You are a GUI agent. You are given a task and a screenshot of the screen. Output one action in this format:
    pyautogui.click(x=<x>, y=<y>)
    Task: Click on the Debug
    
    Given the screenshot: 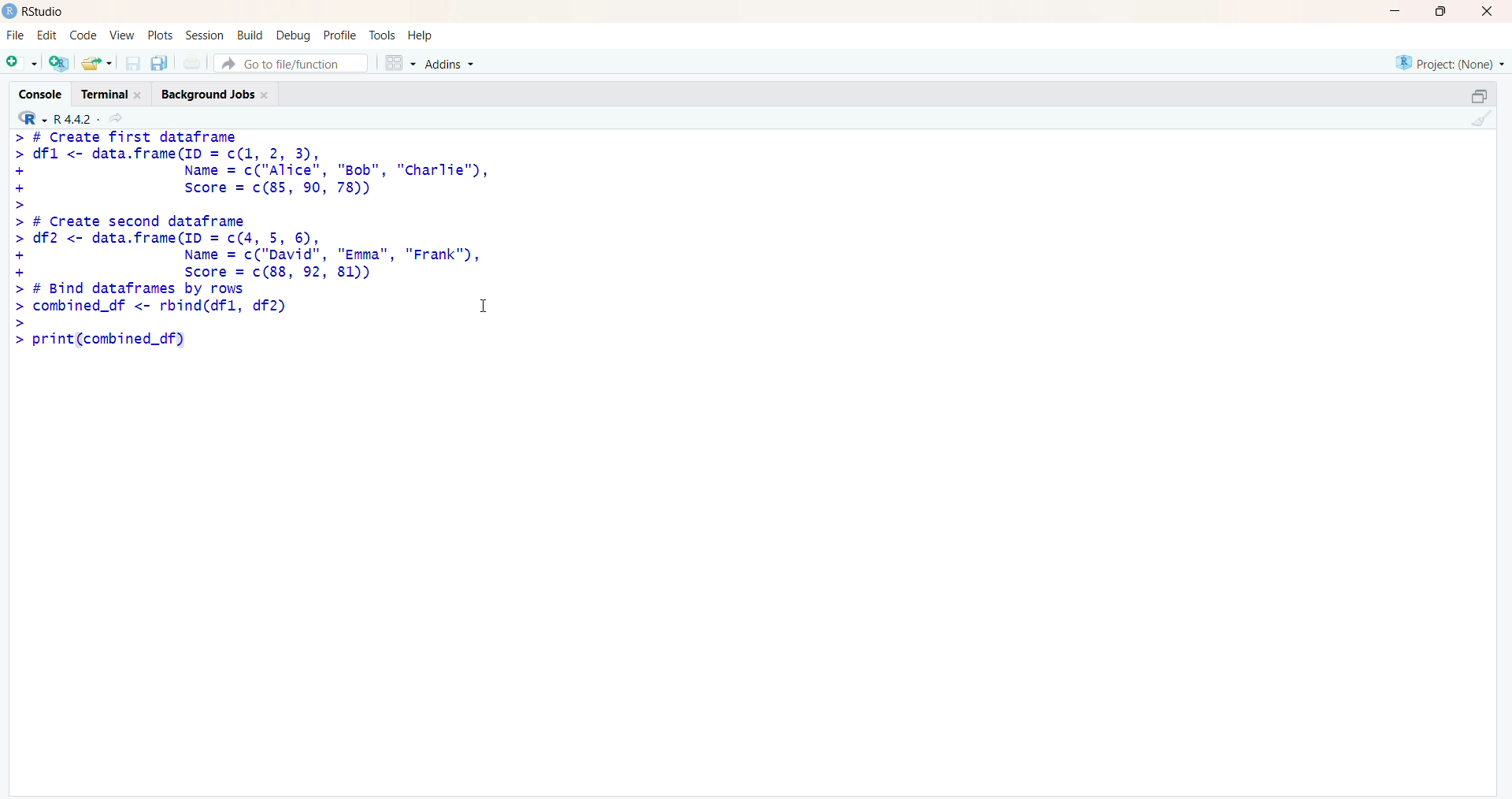 What is the action you would take?
    pyautogui.click(x=295, y=35)
    